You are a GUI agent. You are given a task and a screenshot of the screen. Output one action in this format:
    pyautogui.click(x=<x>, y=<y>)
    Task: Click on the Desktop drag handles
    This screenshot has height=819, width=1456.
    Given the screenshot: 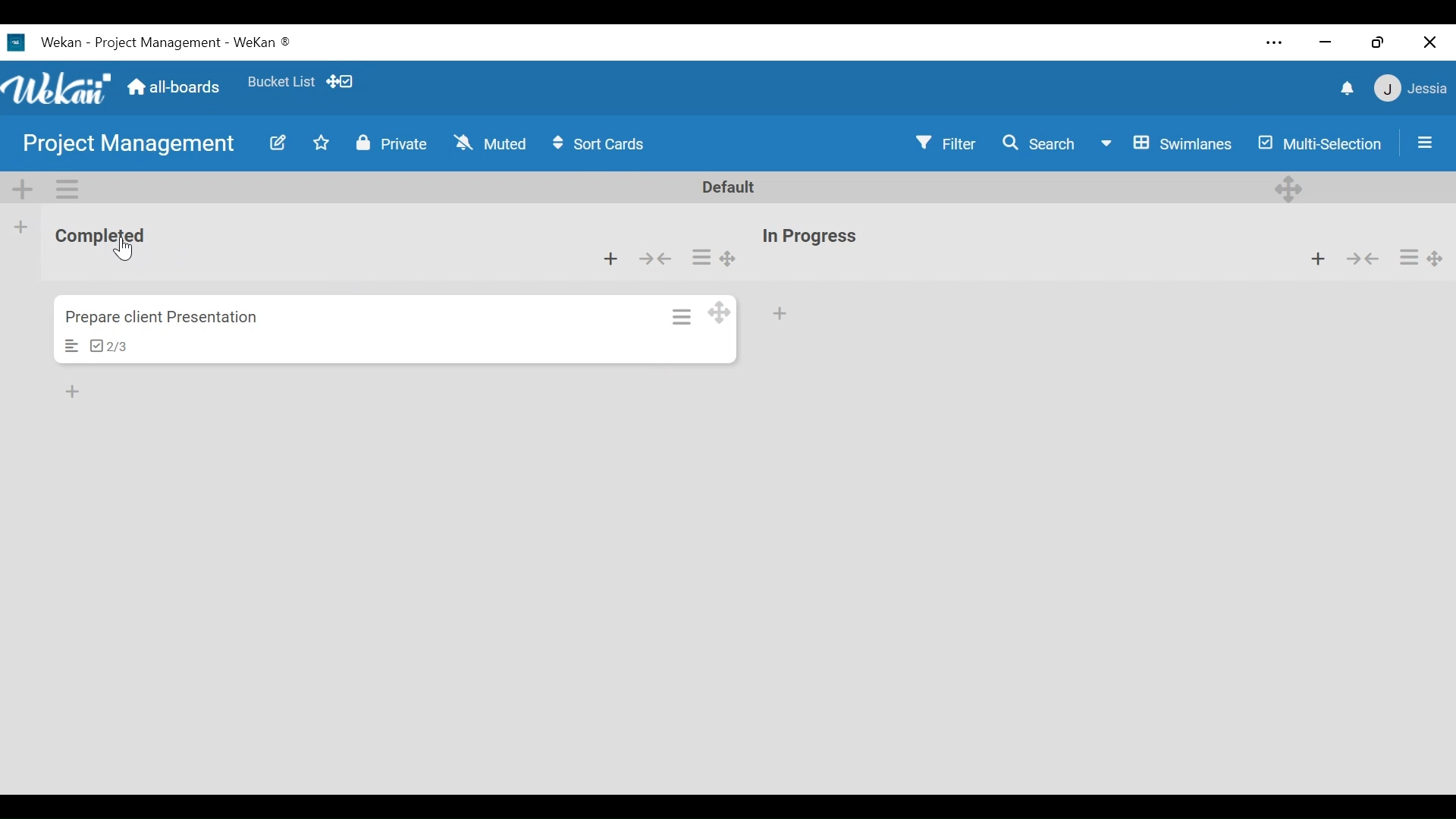 What is the action you would take?
    pyautogui.click(x=729, y=259)
    